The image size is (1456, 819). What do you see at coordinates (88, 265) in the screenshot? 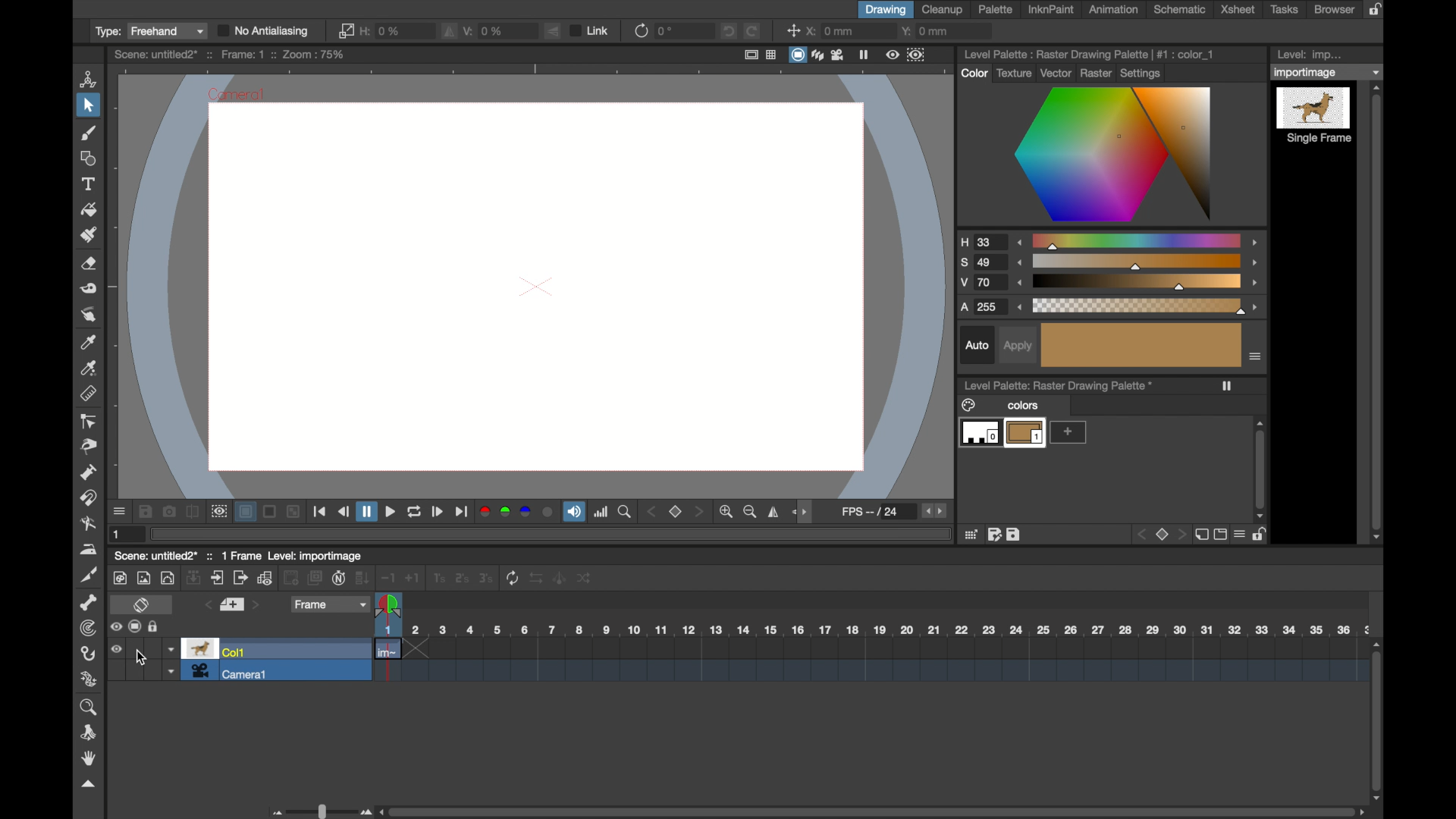
I see `eraser tool` at bounding box center [88, 265].